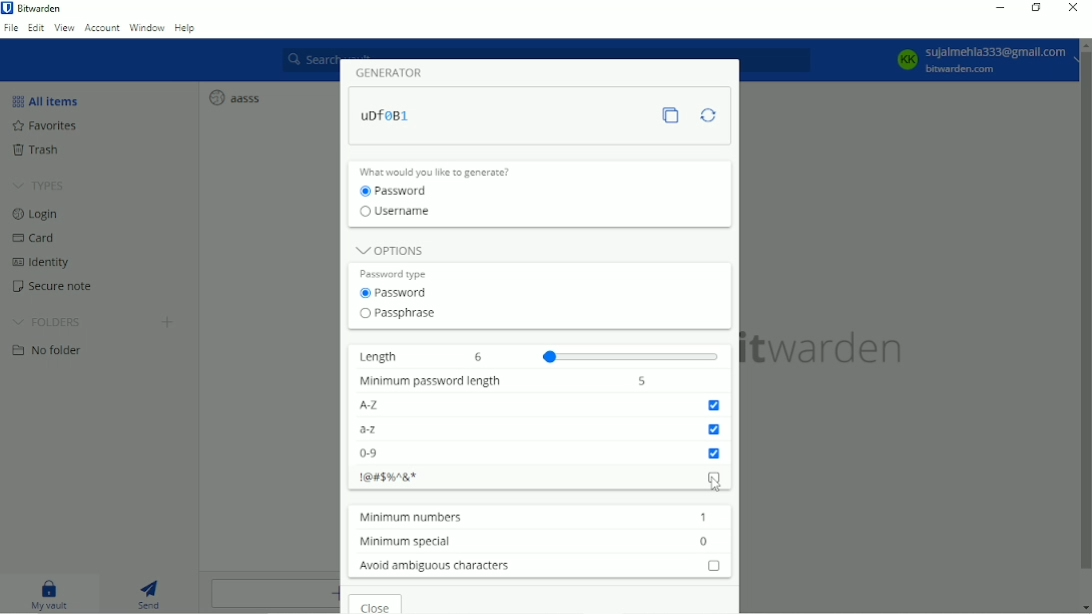  Describe the element at coordinates (650, 381) in the screenshot. I see `input password length` at that location.